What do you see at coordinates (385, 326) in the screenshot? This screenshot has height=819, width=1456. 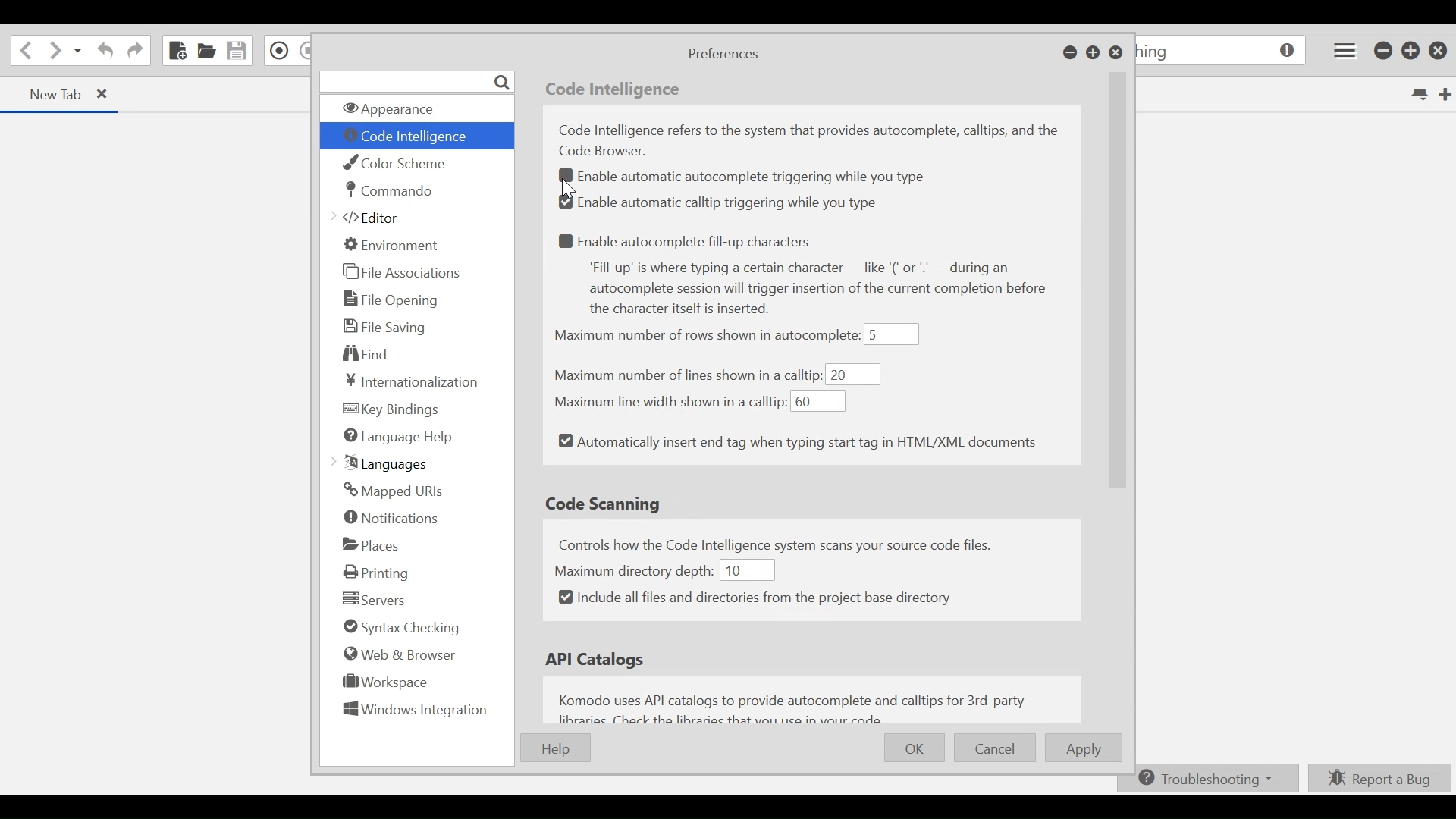 I see `File Saving` at bounding box center [385, 326].